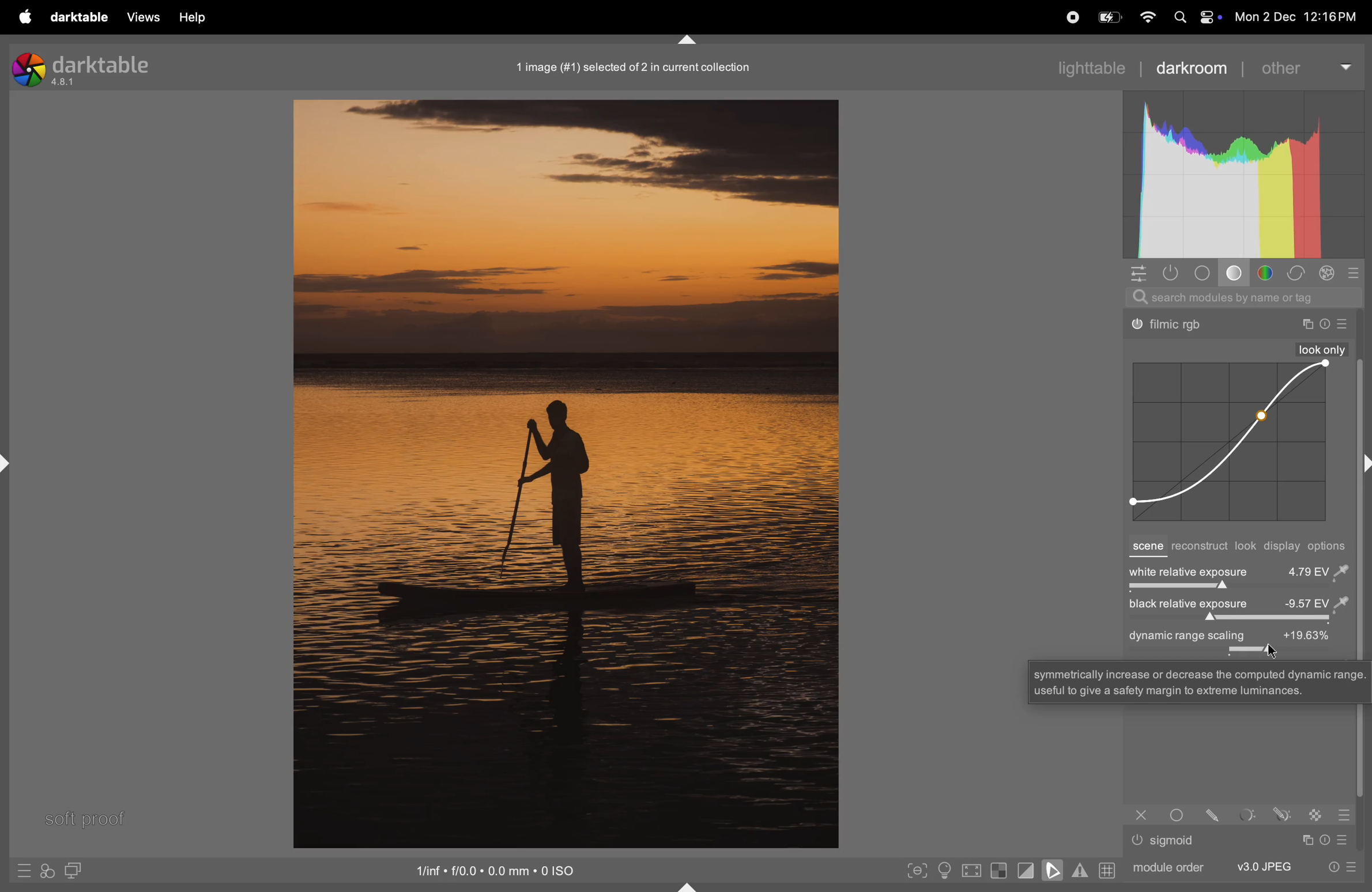 This screenshot has width=1372, height=892. I want to click on date and time, so click(1301, 18).